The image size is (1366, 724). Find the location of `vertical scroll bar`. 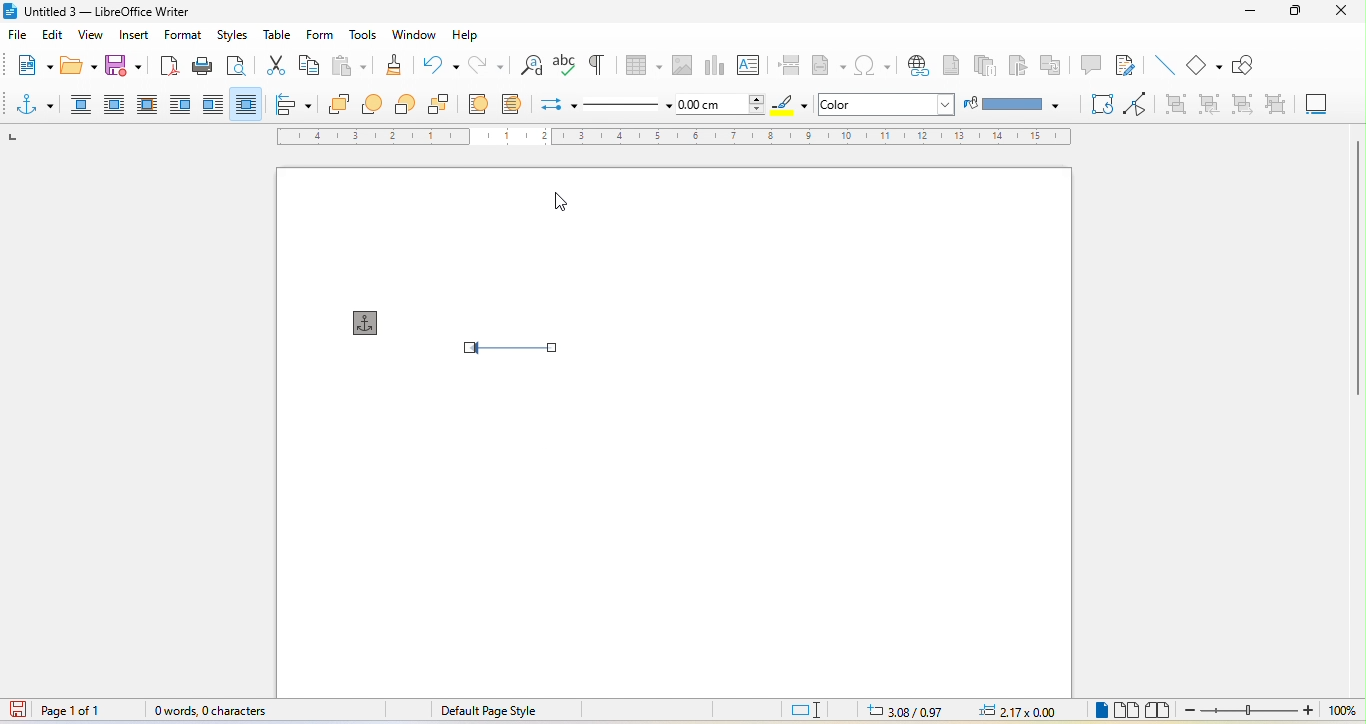

vertical scroll bar is located at coordinates (1357, 252).